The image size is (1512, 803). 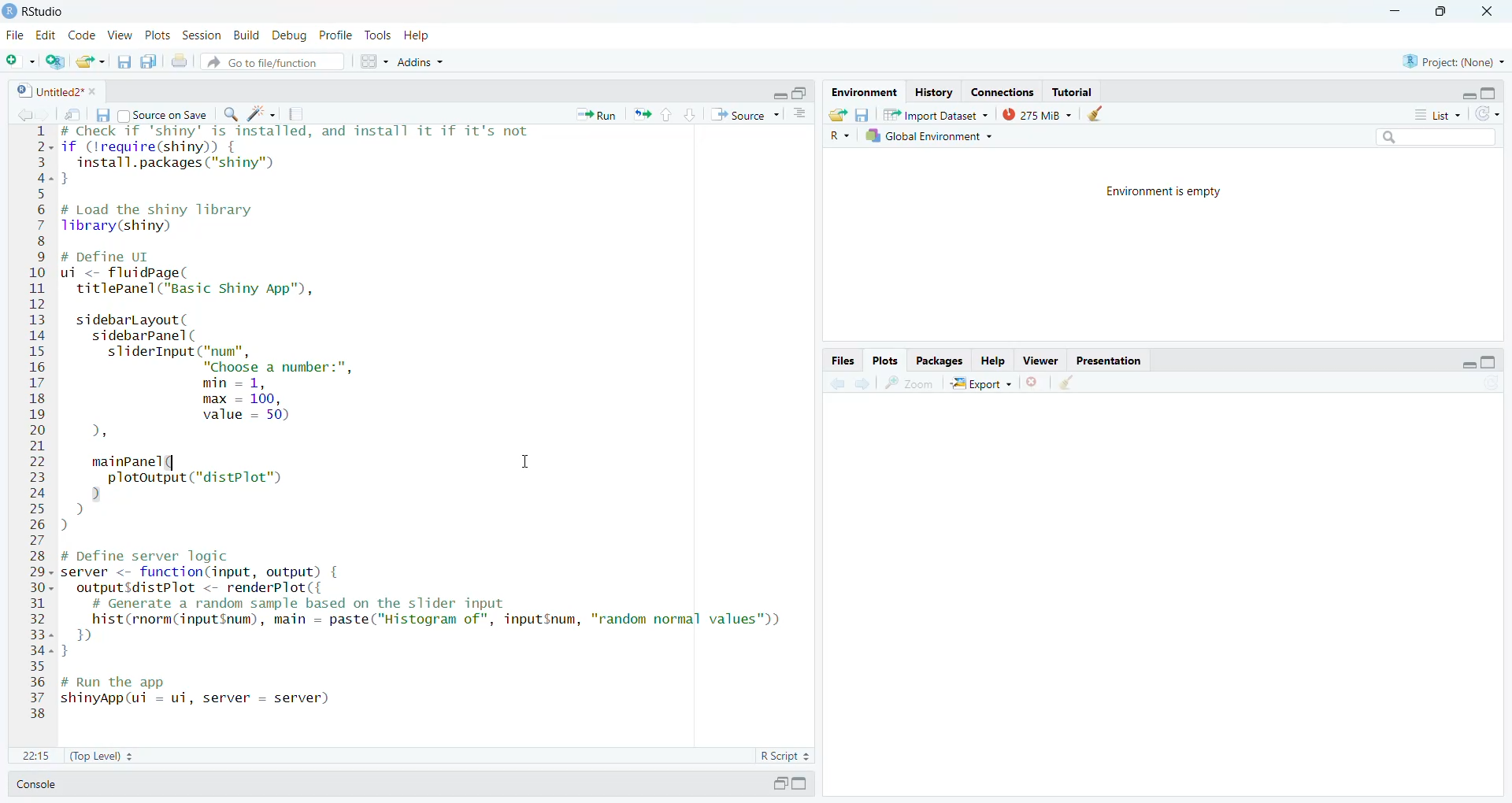 What do you see at coordinates (1002, 93) in the screenshot?
I see `Connections` at bounding box center [1002, 93].